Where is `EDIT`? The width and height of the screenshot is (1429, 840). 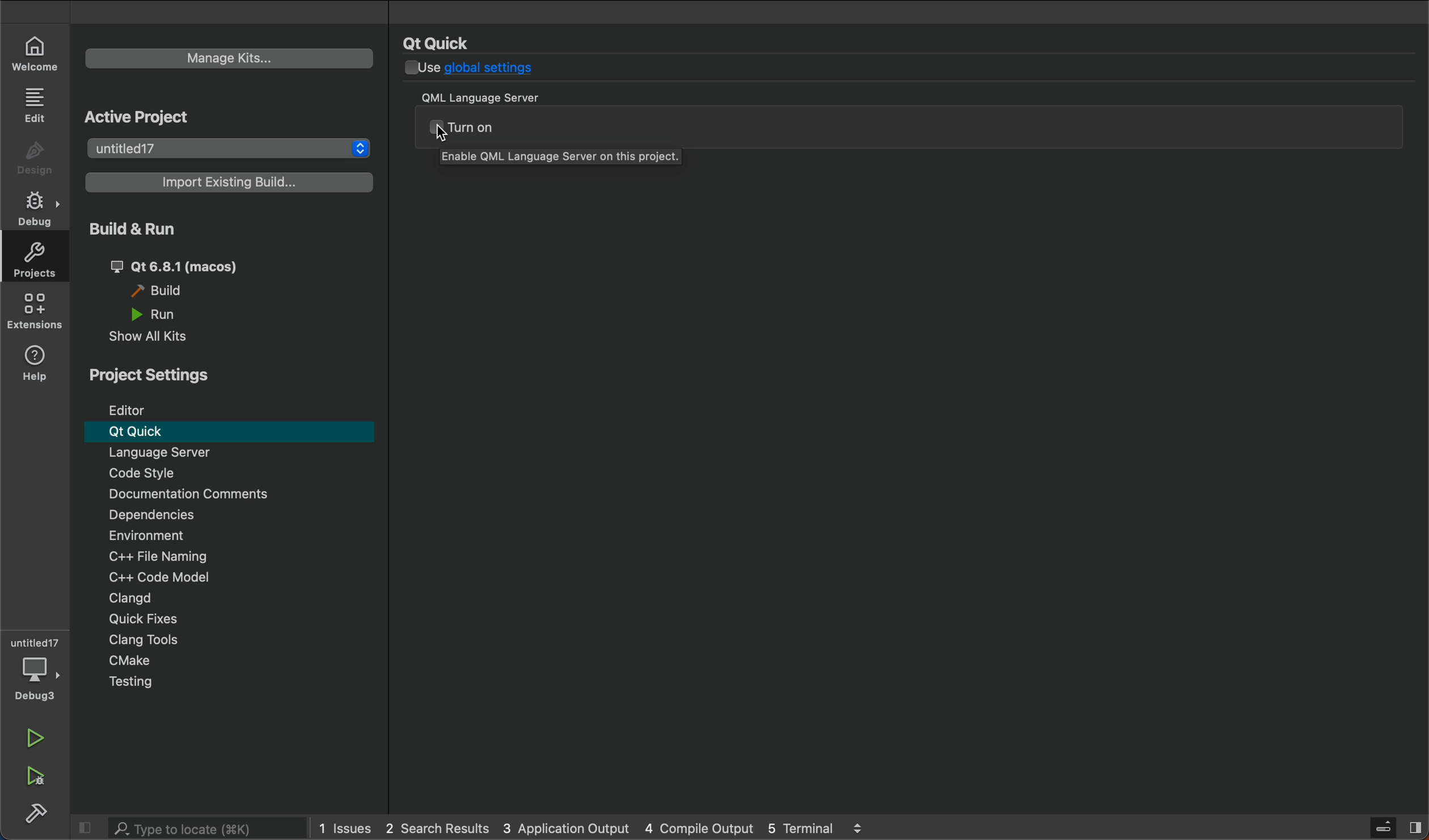
EDIT is located at coordinates (35, 104).